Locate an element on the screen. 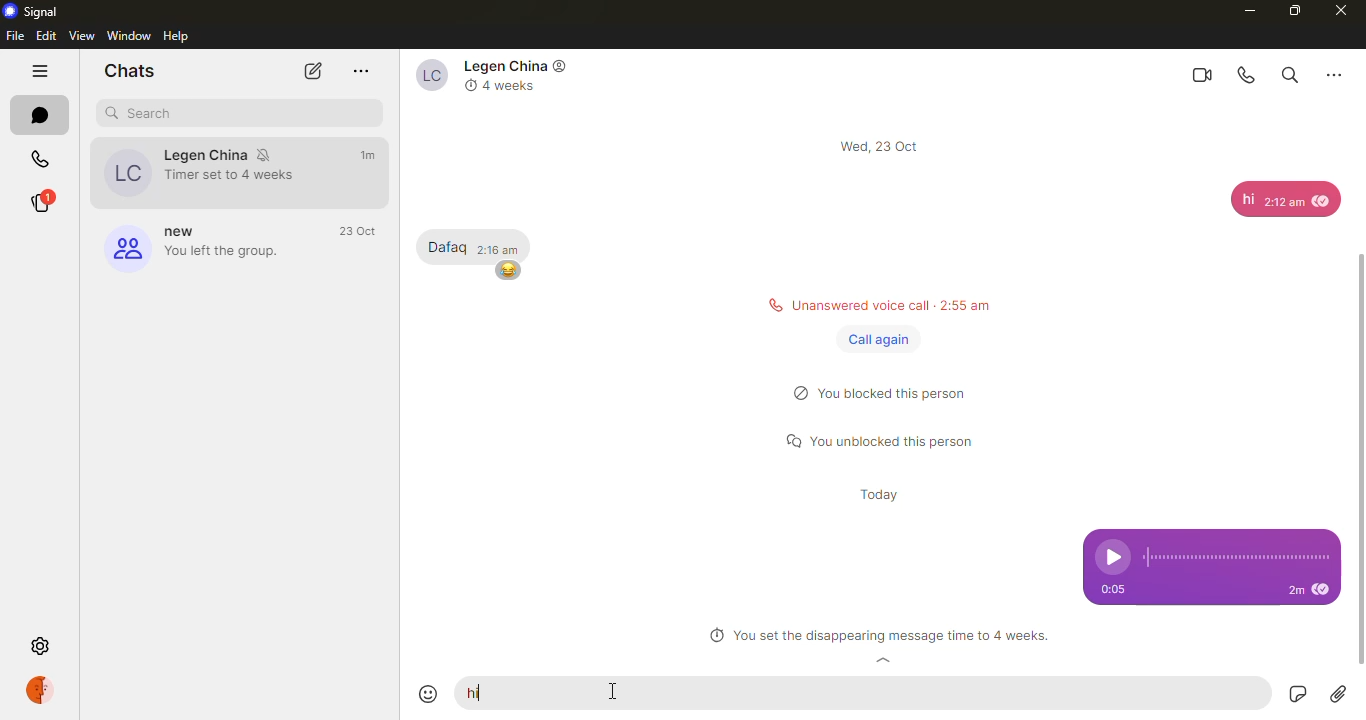 The width and height of the screenshot is (1366, 720). seen is located at coordinates (1324, 591).